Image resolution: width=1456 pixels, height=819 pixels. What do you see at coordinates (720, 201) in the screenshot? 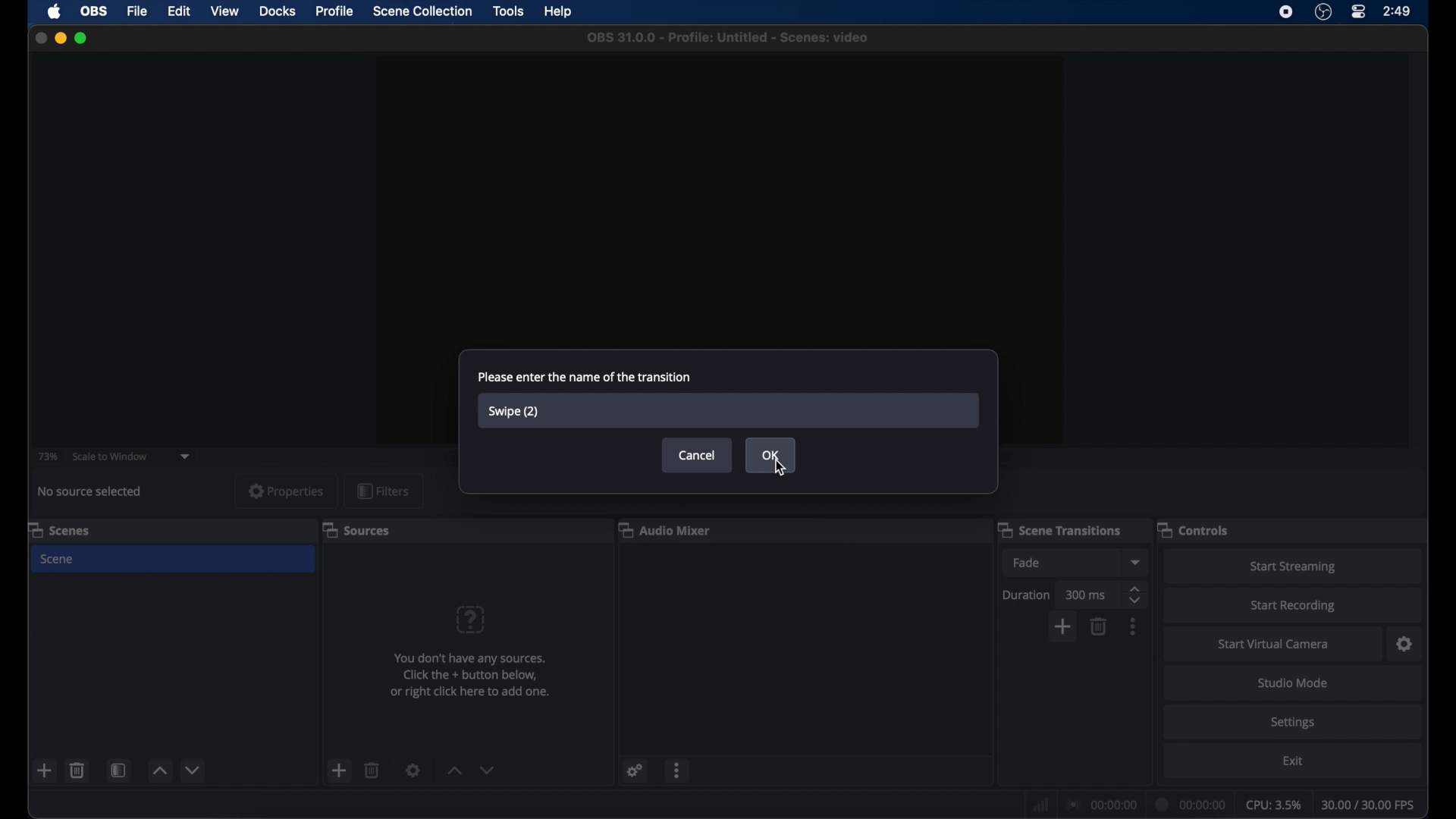
I see `preview` at bounding box center [720, 201].